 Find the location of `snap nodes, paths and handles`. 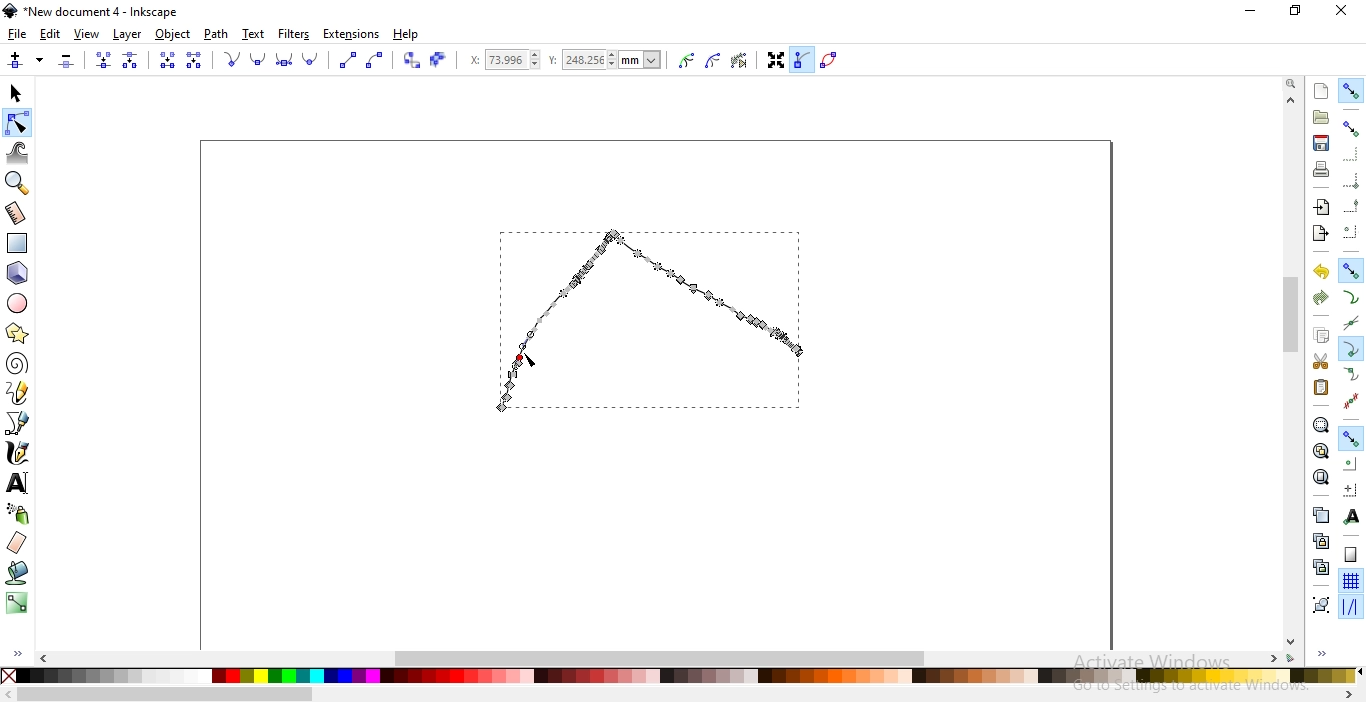

snap nodes, paths and handles is located at coordinates (1349, 269).